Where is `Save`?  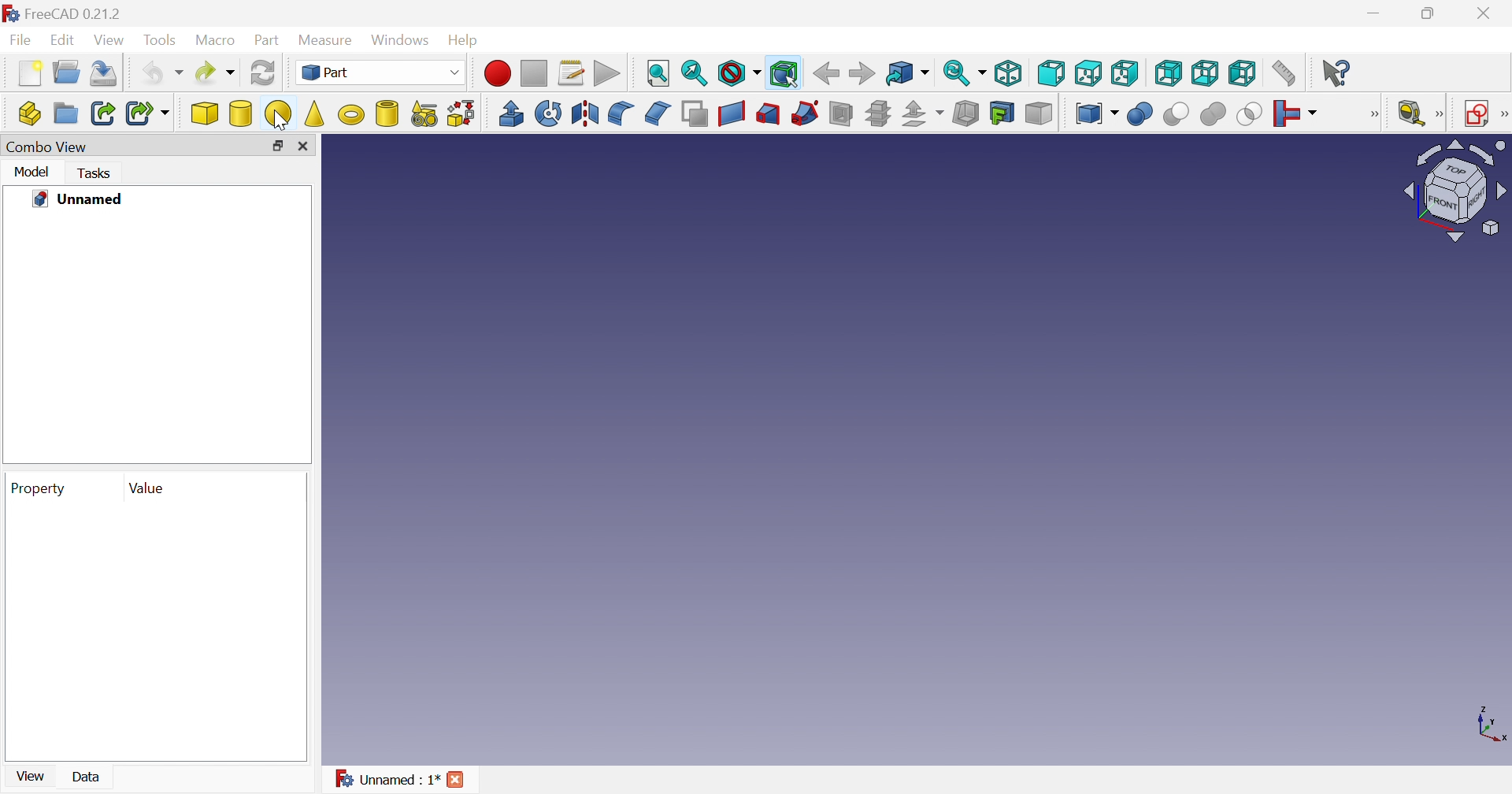
Save is located at coordinates (105, 74).